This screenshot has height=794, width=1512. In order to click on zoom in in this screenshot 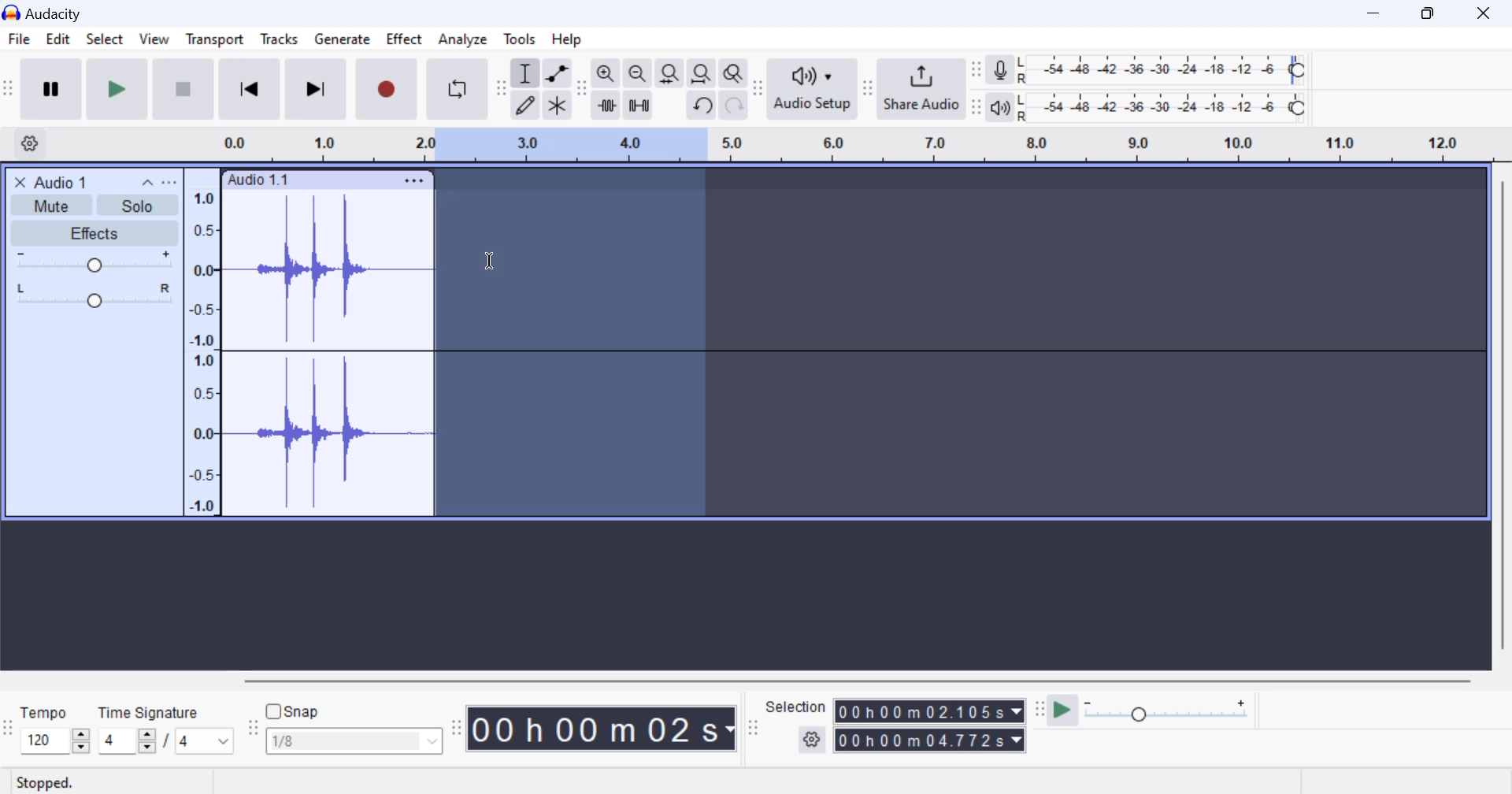, I will do `click(606, 74)`.